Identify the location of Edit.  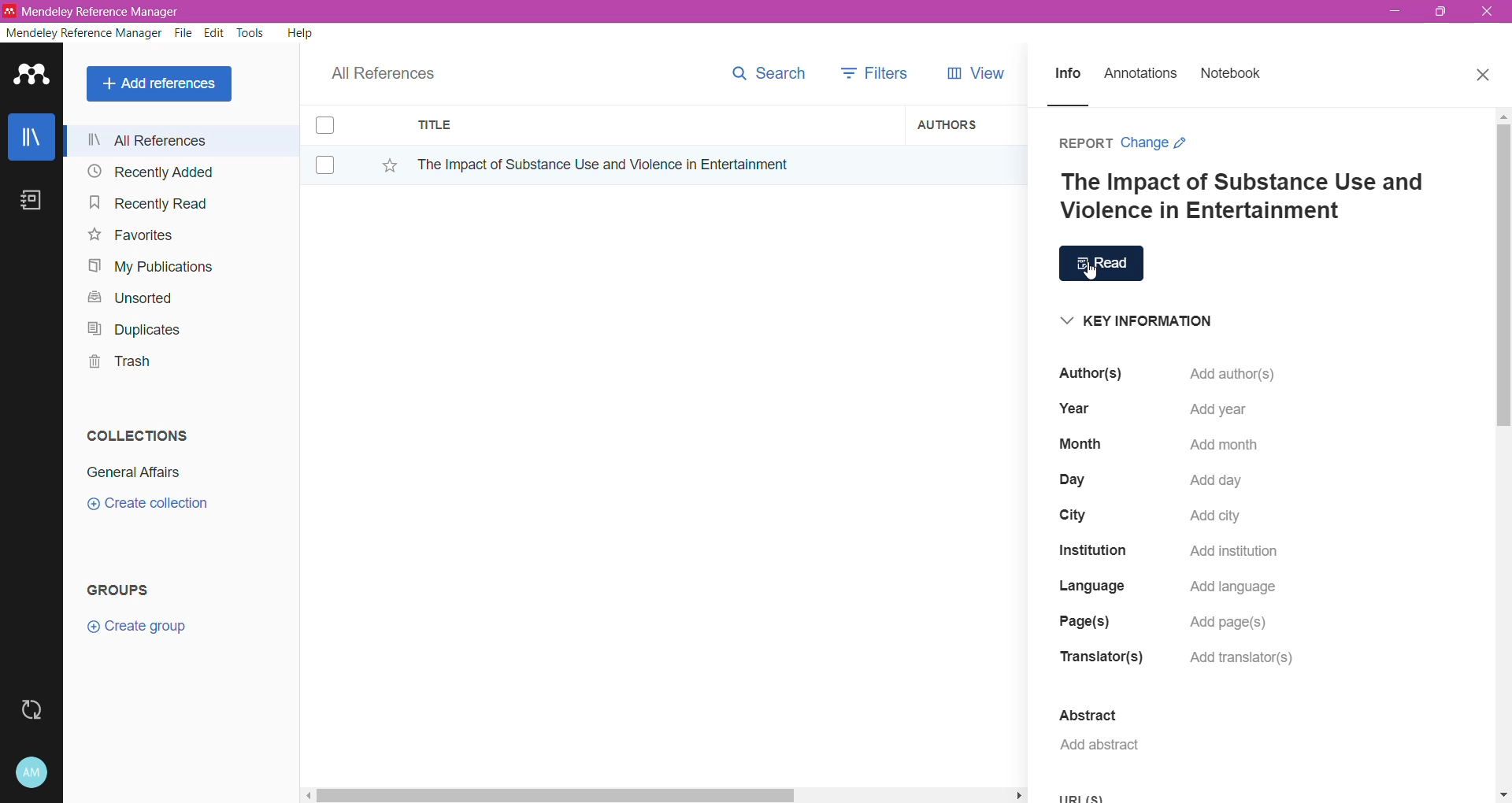
(215, 31).